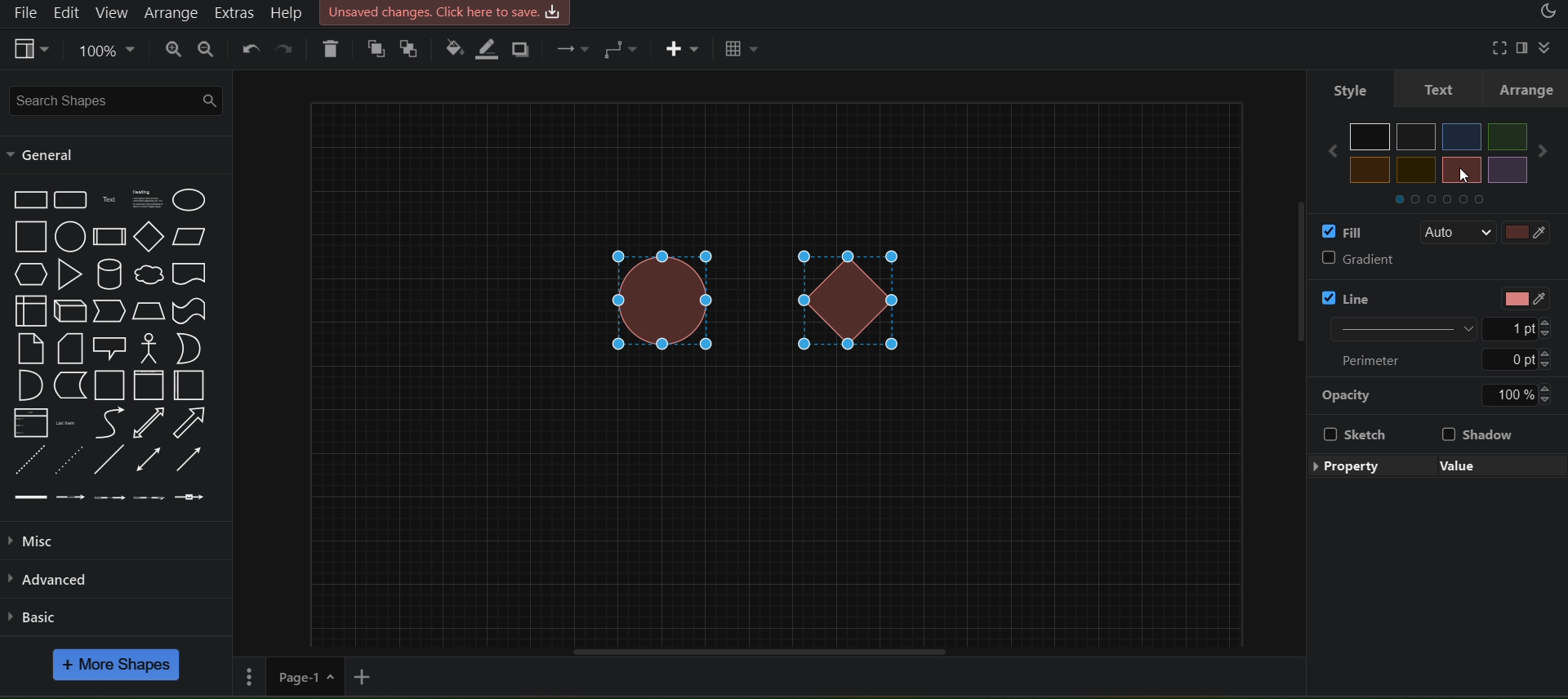 This screenshot has width=1568, height=699. I want to click on redo, so click(287, 47).